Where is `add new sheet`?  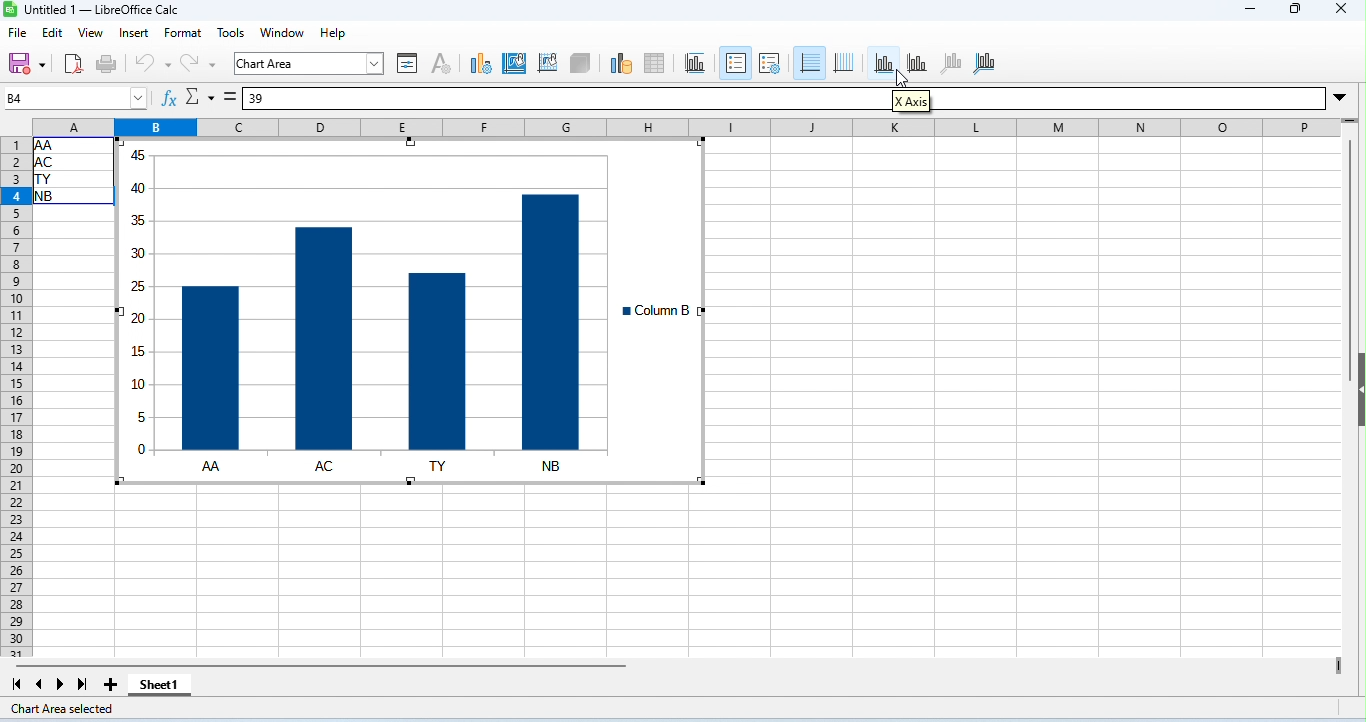
add new sheet is located at coordinates (112, 685).